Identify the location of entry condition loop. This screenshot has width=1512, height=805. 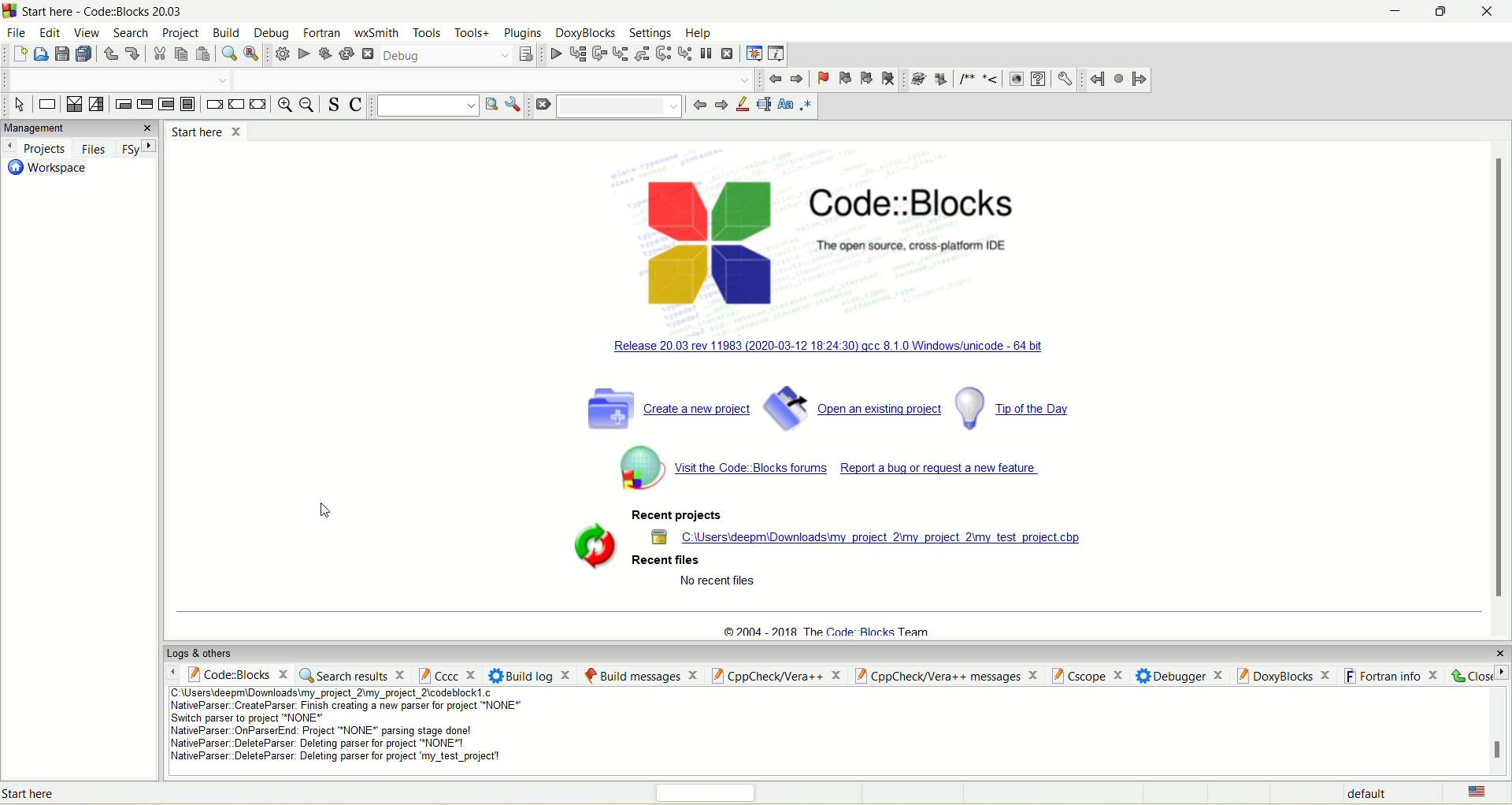
(123, 104).